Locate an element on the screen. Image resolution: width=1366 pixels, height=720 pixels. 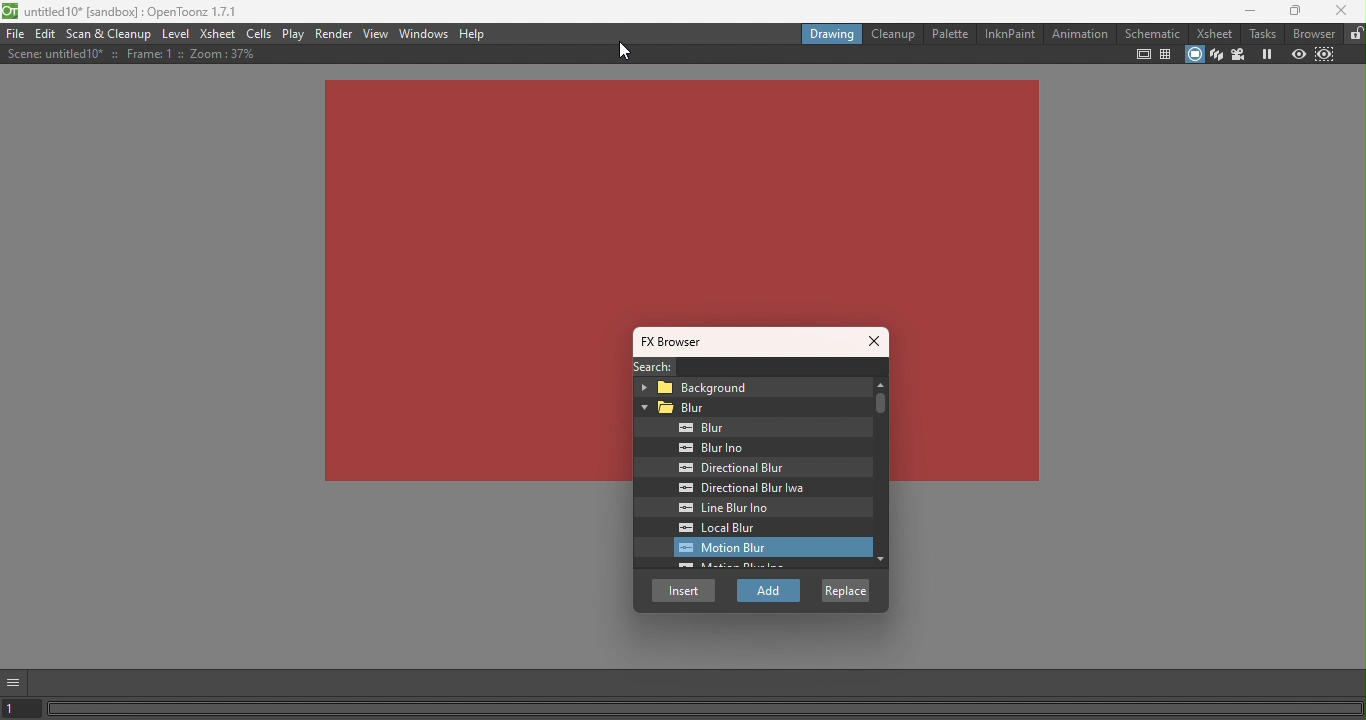
Tasks is located at coordinates (1258, 34).